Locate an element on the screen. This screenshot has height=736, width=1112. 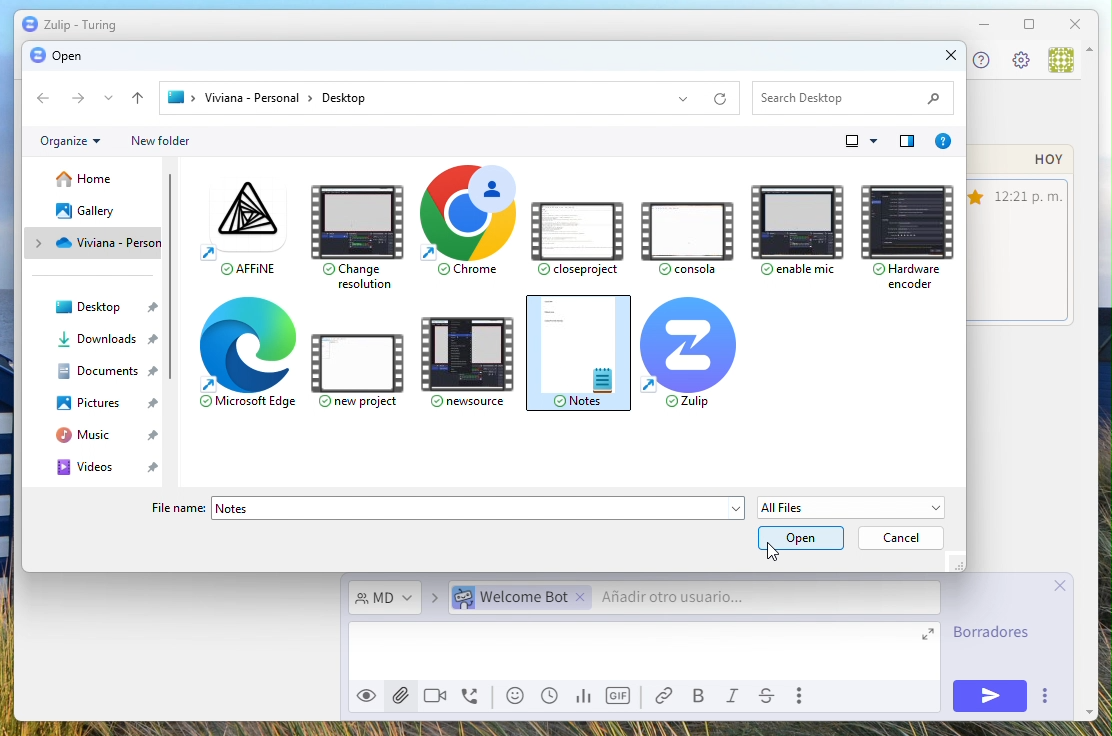
Search desktop is located at coordinates (852, 96).